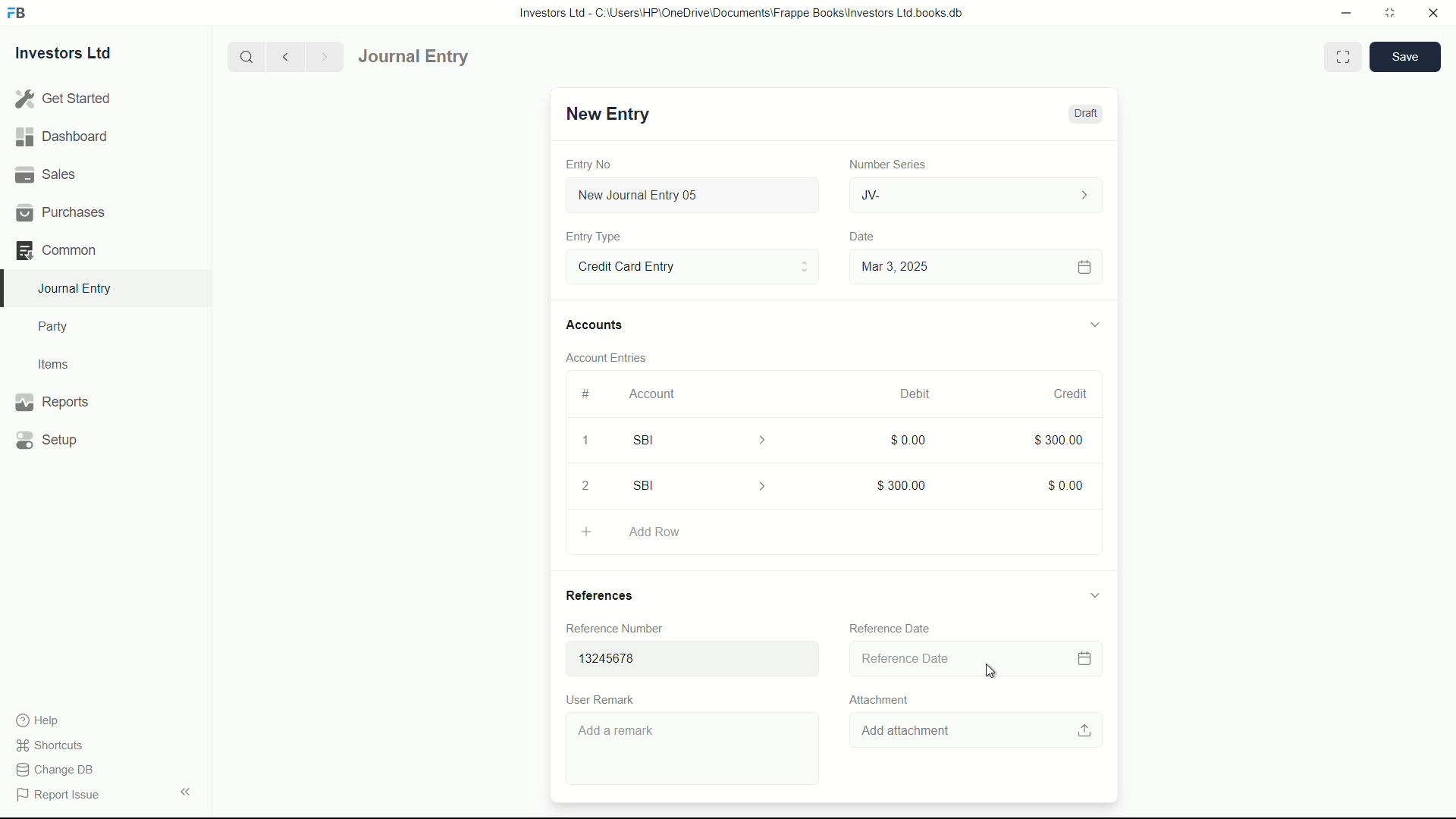 Image resolution: width=1456 pixels, height=819 pixels. I want to click on Mar 3, 2025, so click(974, 266).